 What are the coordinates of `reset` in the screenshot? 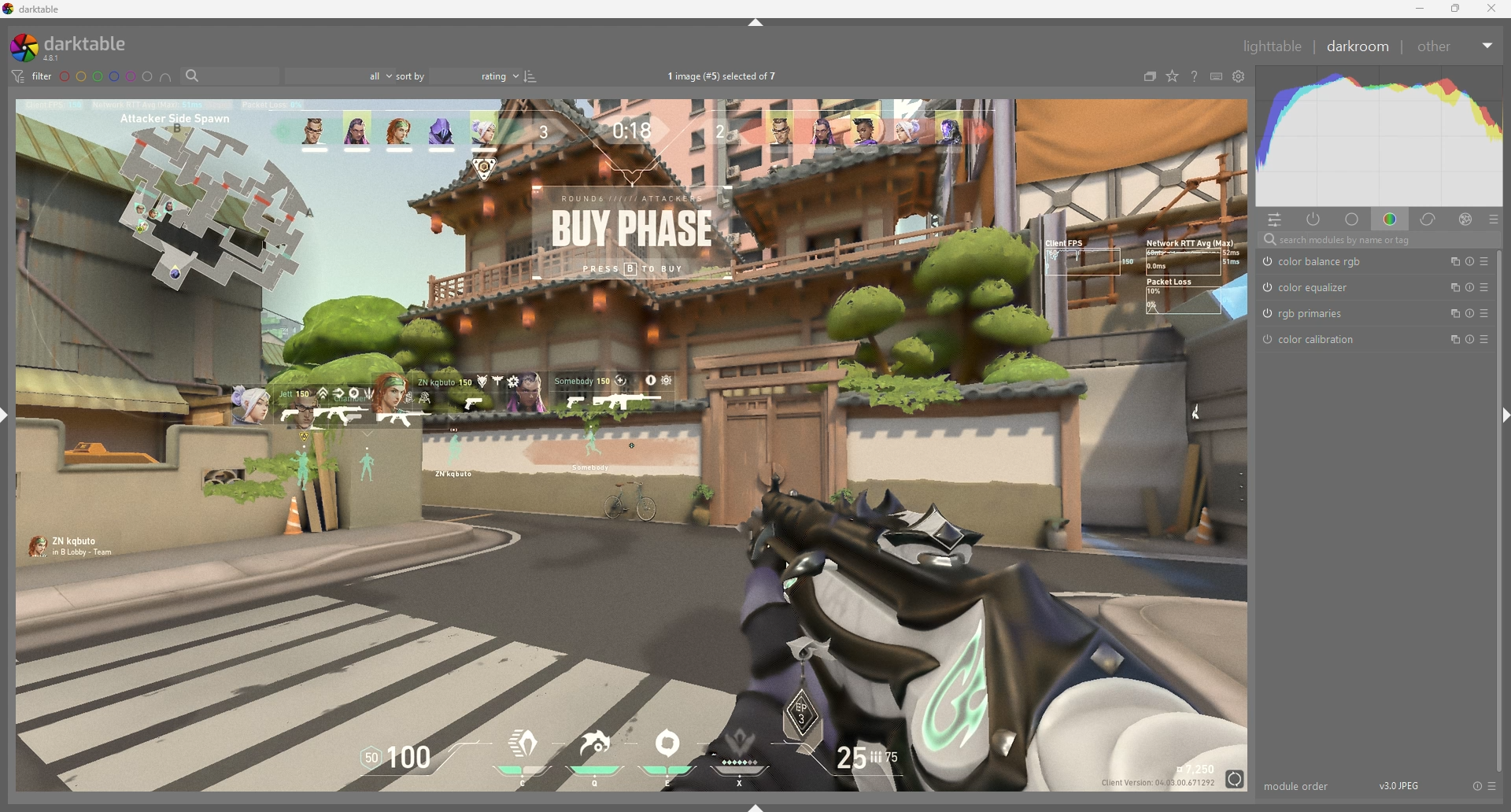 It's located at (1476, 785).